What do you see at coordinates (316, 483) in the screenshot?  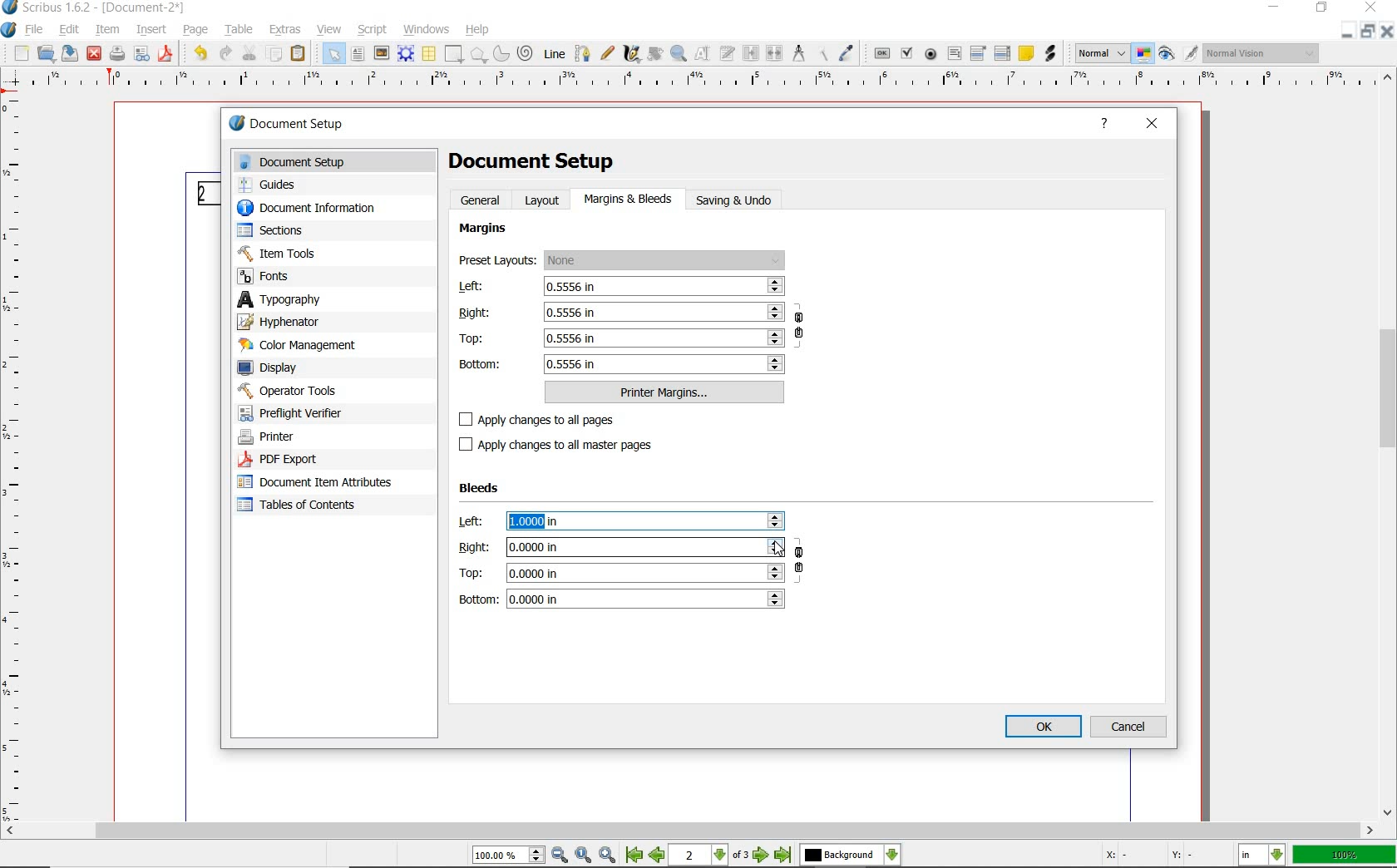 I see `document item attributes` at bounding box center [316, 483].